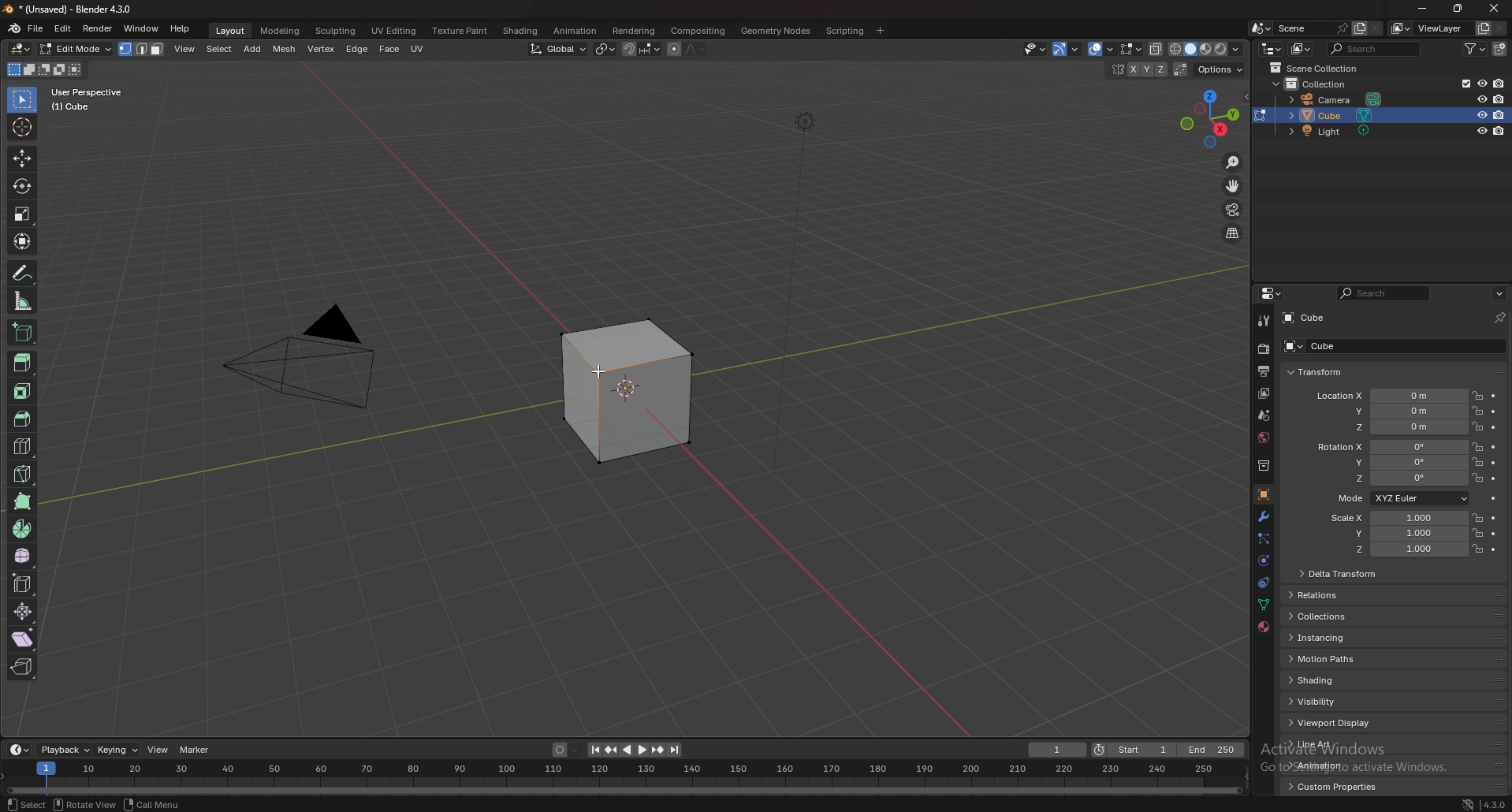  I want to click on viewport display, so click(1348, 723).